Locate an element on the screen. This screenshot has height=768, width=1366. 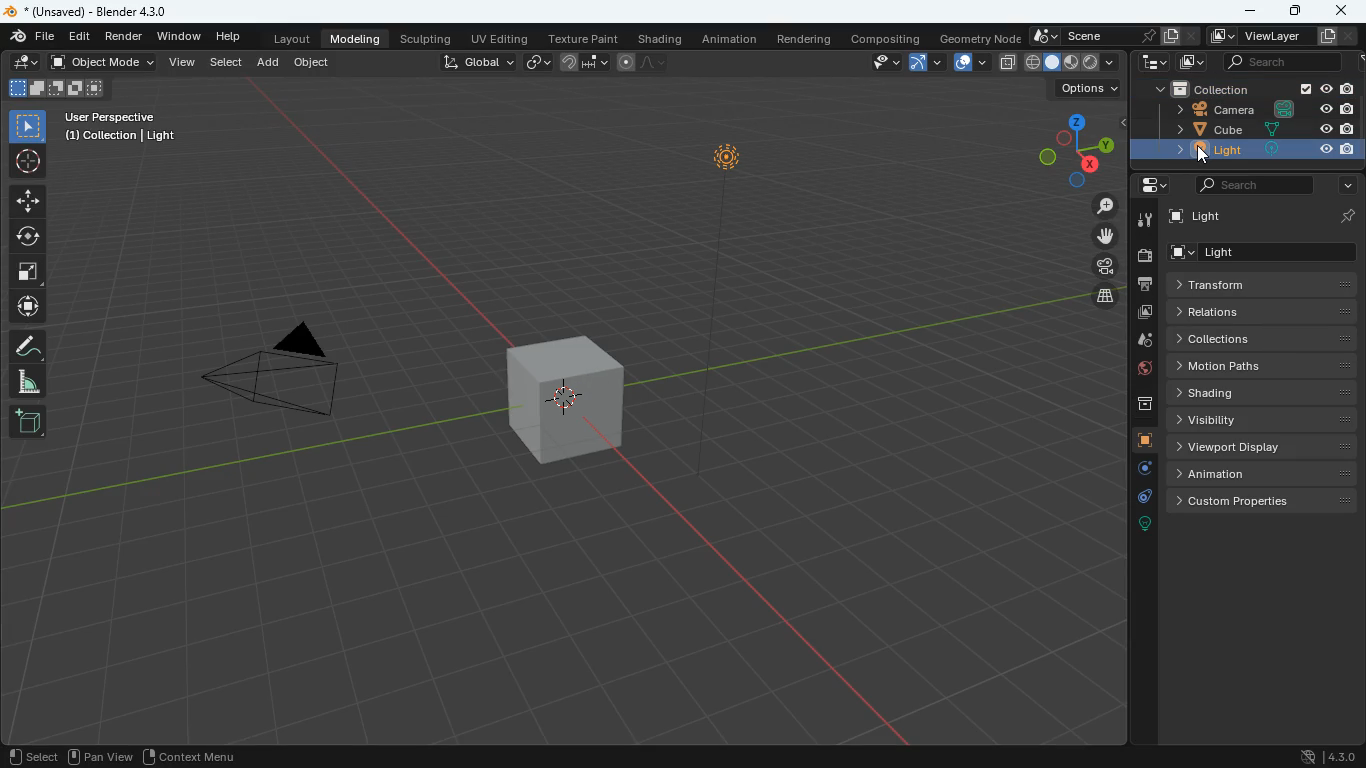
hand is located at coordinates (1106, 236).